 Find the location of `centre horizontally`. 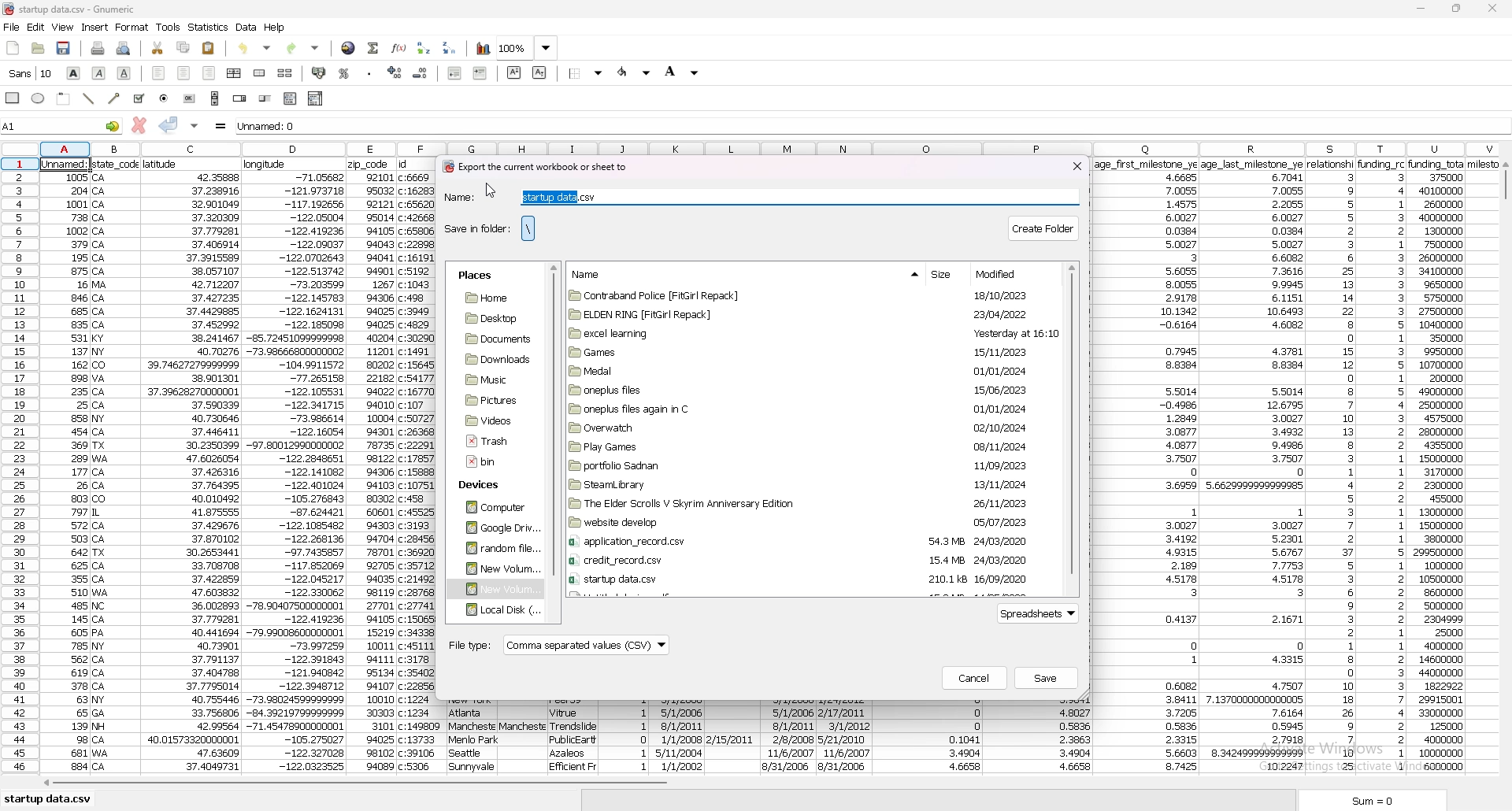

centre horizontally is located at coordinates (234, 73).